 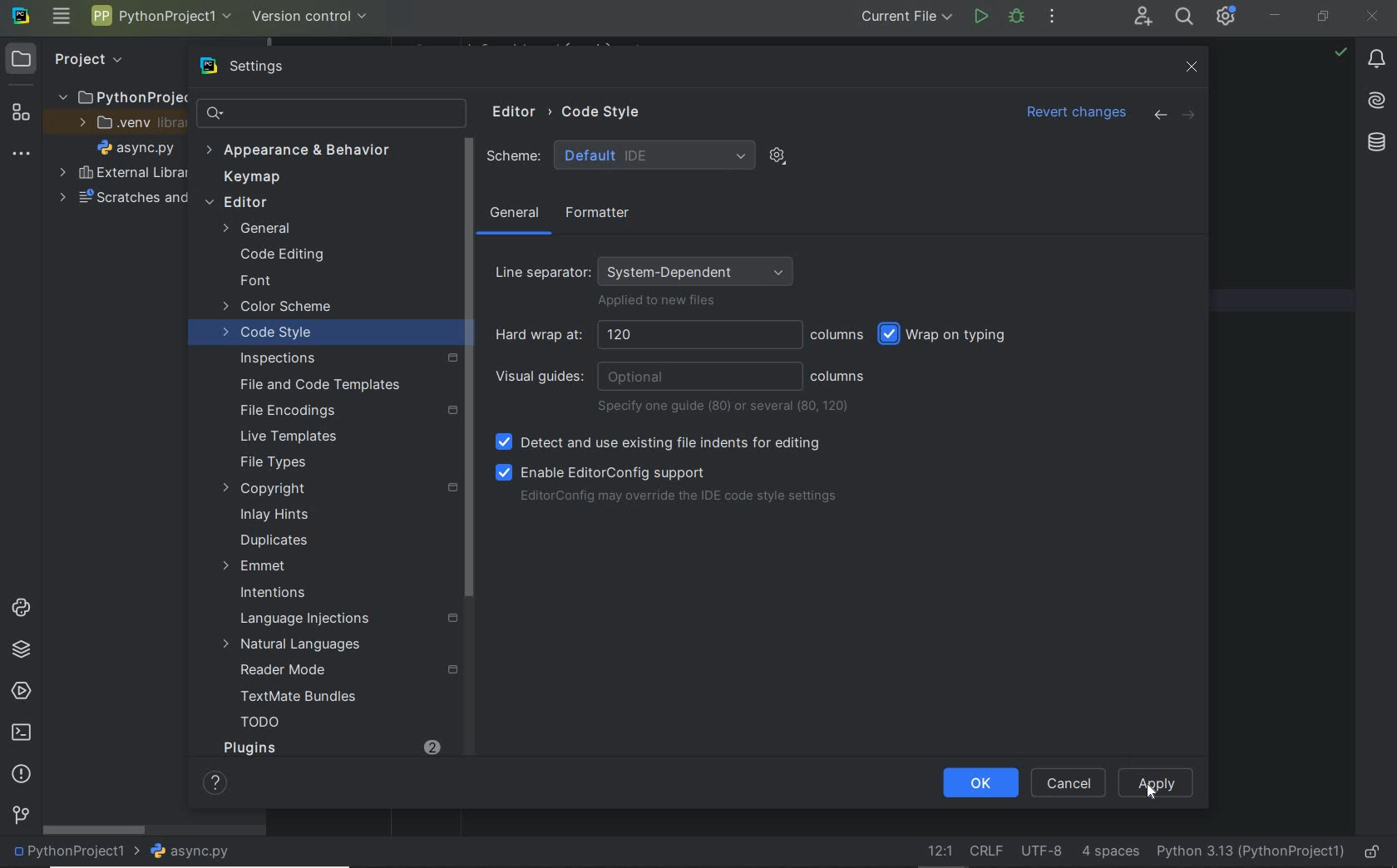 What do you see at coordinates (274, 515) in the screenshot?
I see `Inlay Hints` at bounding box center [274, 515].